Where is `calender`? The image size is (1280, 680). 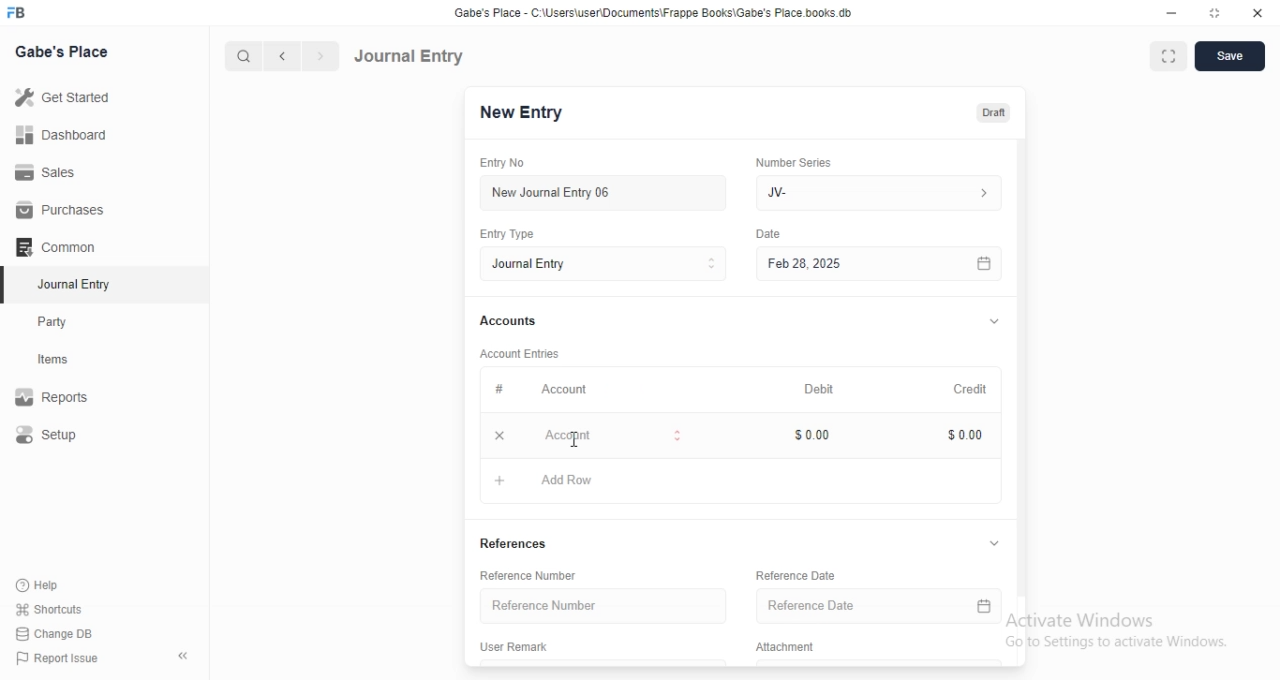
calender is located at coordinates (985, 609).